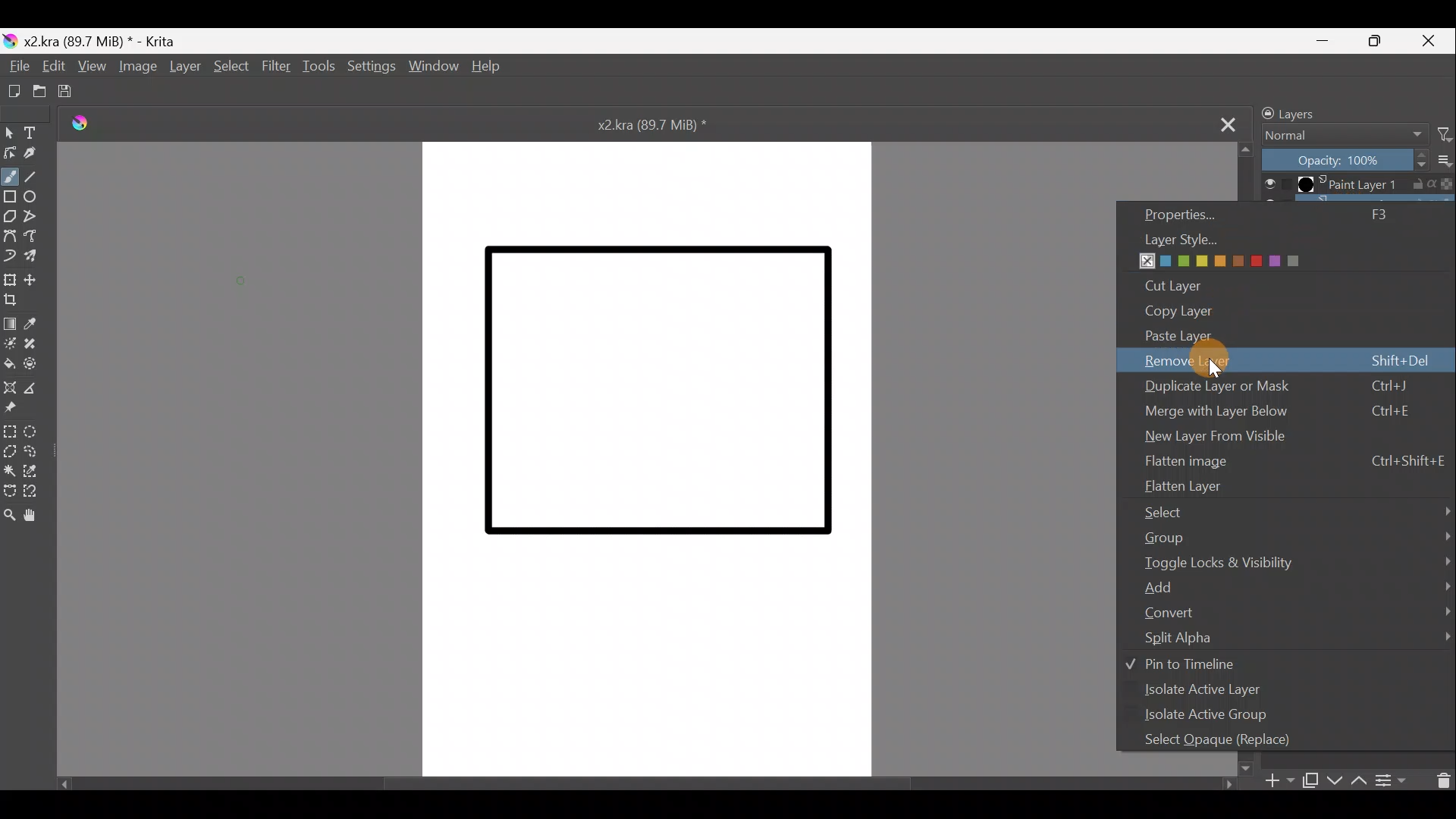 The width and height of the screenshot is (1456, 819). Describe the element at coordinates (10, 279) in the screenshot. I see `Transform a layer/selection` at that location.